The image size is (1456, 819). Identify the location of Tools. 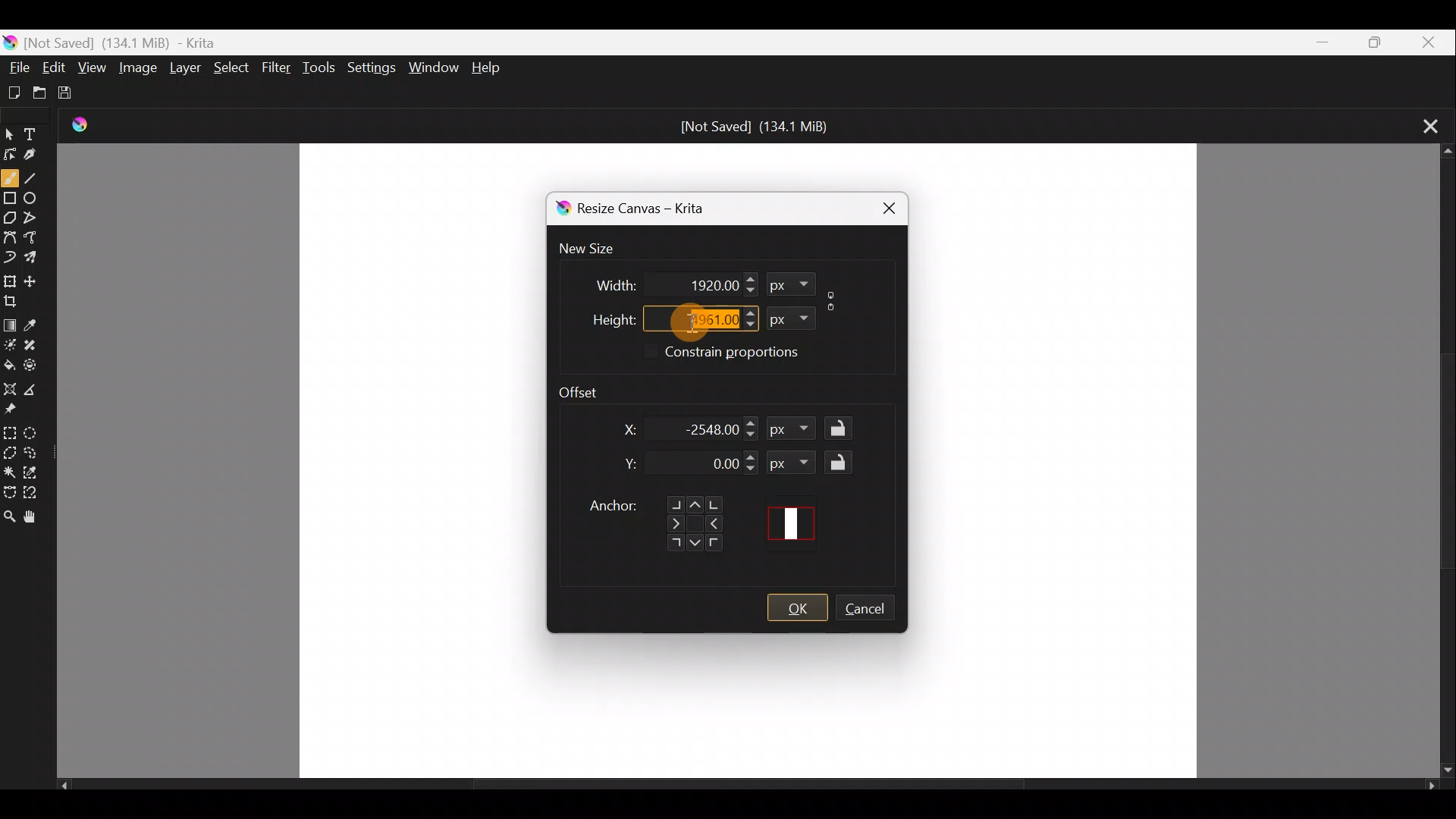
(322, 68).